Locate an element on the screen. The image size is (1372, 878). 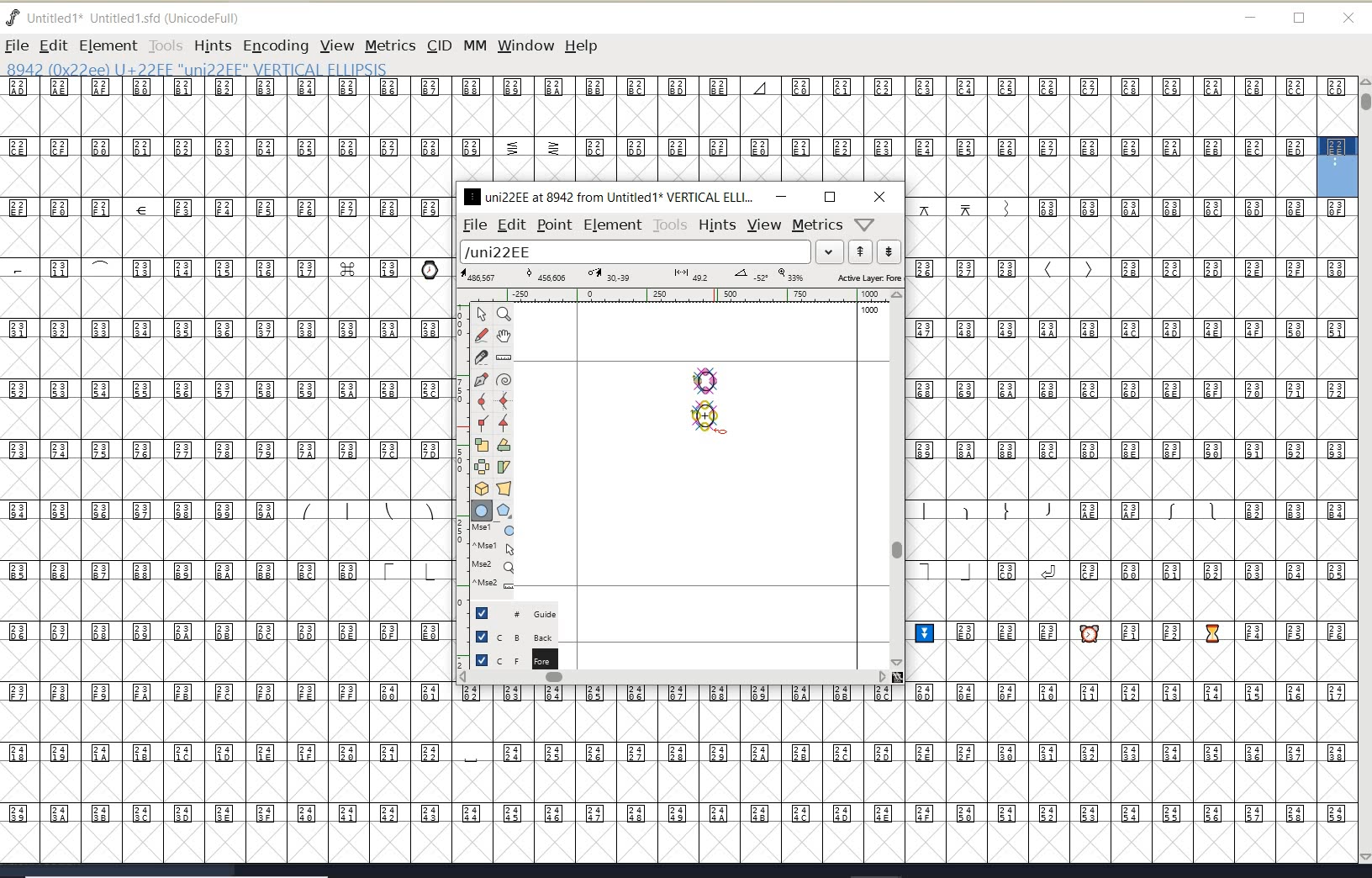
a vertical ellipsis creation is located at coordinates (710, 415).